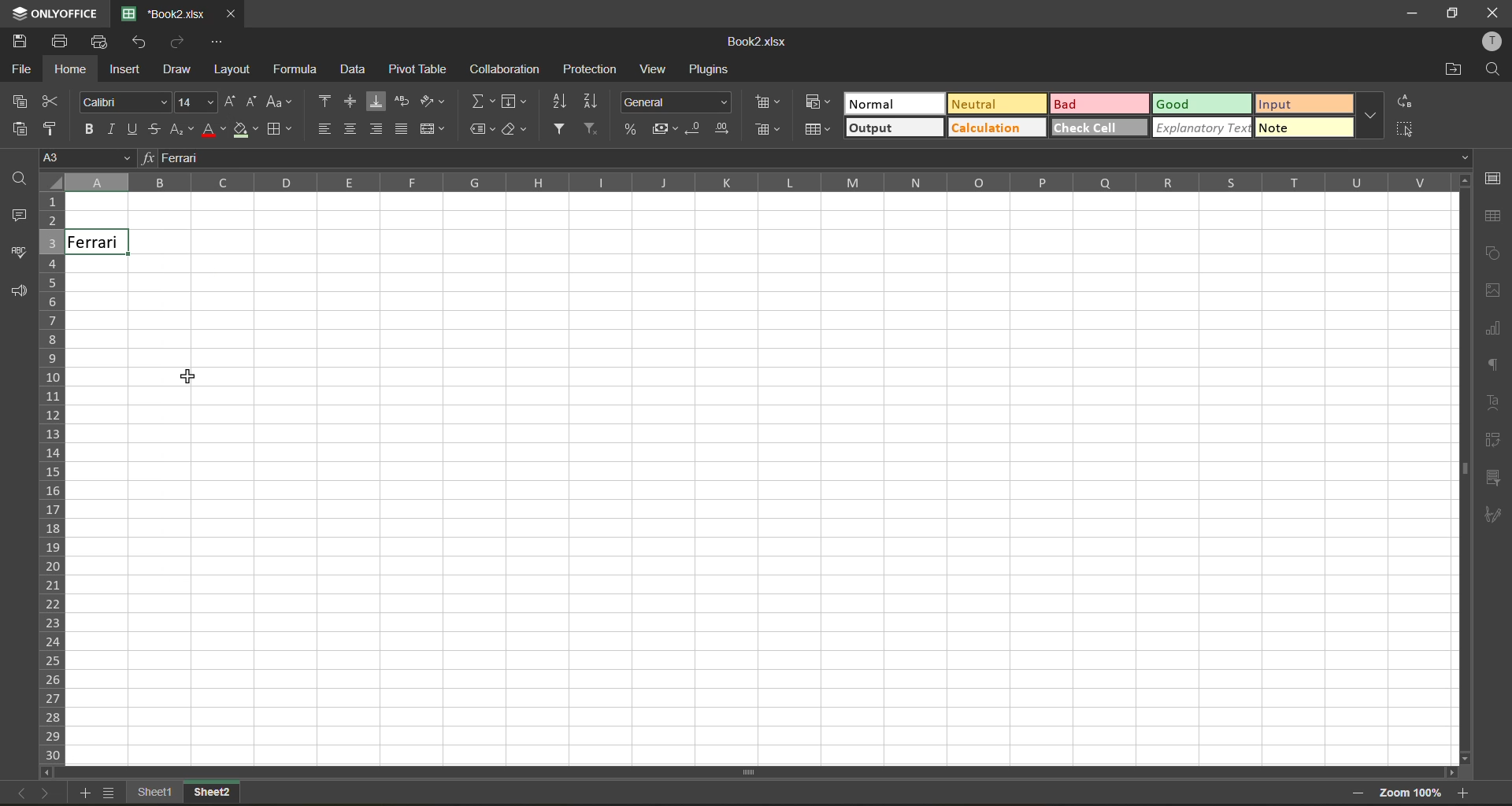  I want to click on quick print, so click(101, 42).